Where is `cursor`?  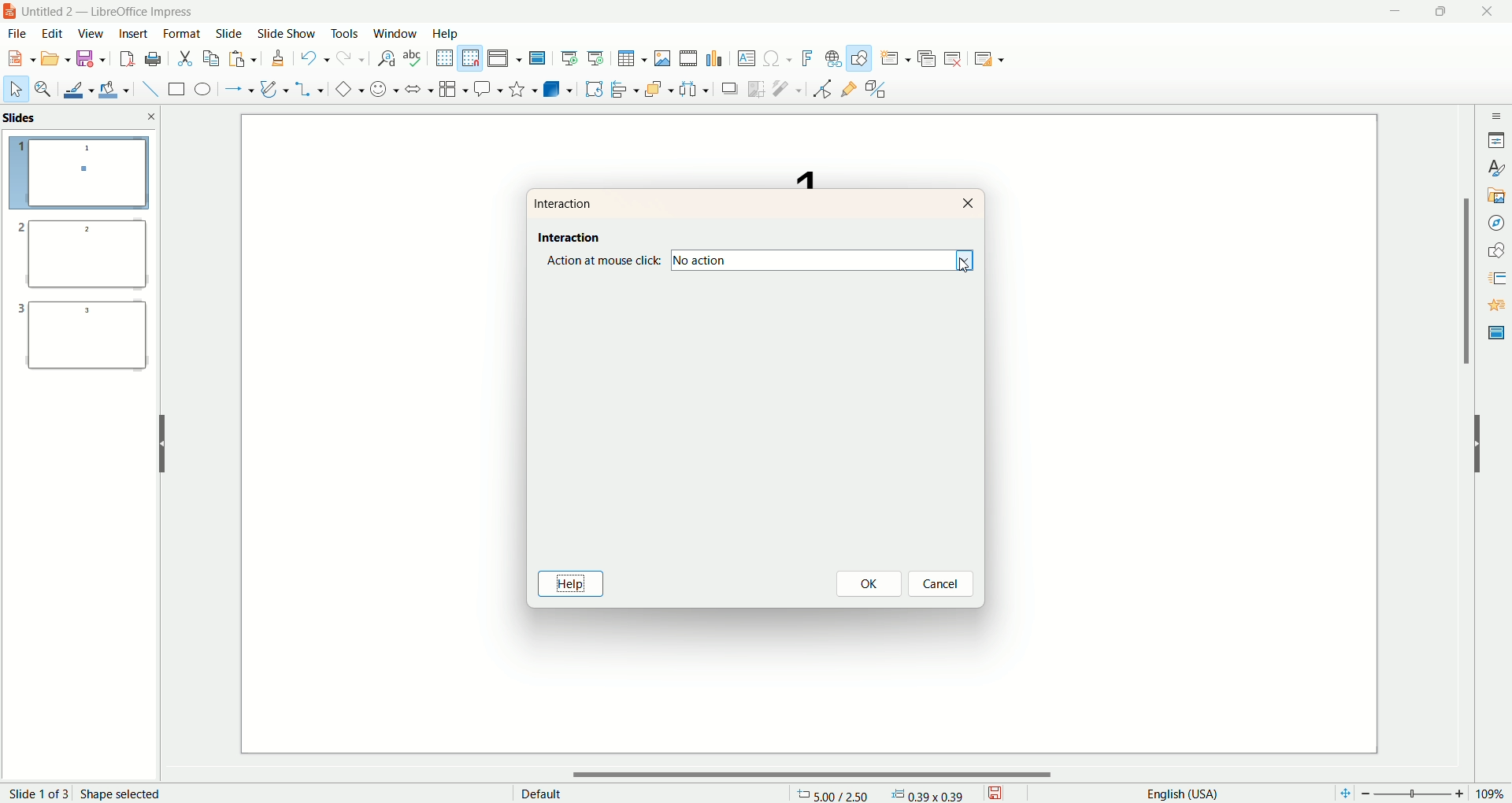 cursor is located at coordinates (965, 276).